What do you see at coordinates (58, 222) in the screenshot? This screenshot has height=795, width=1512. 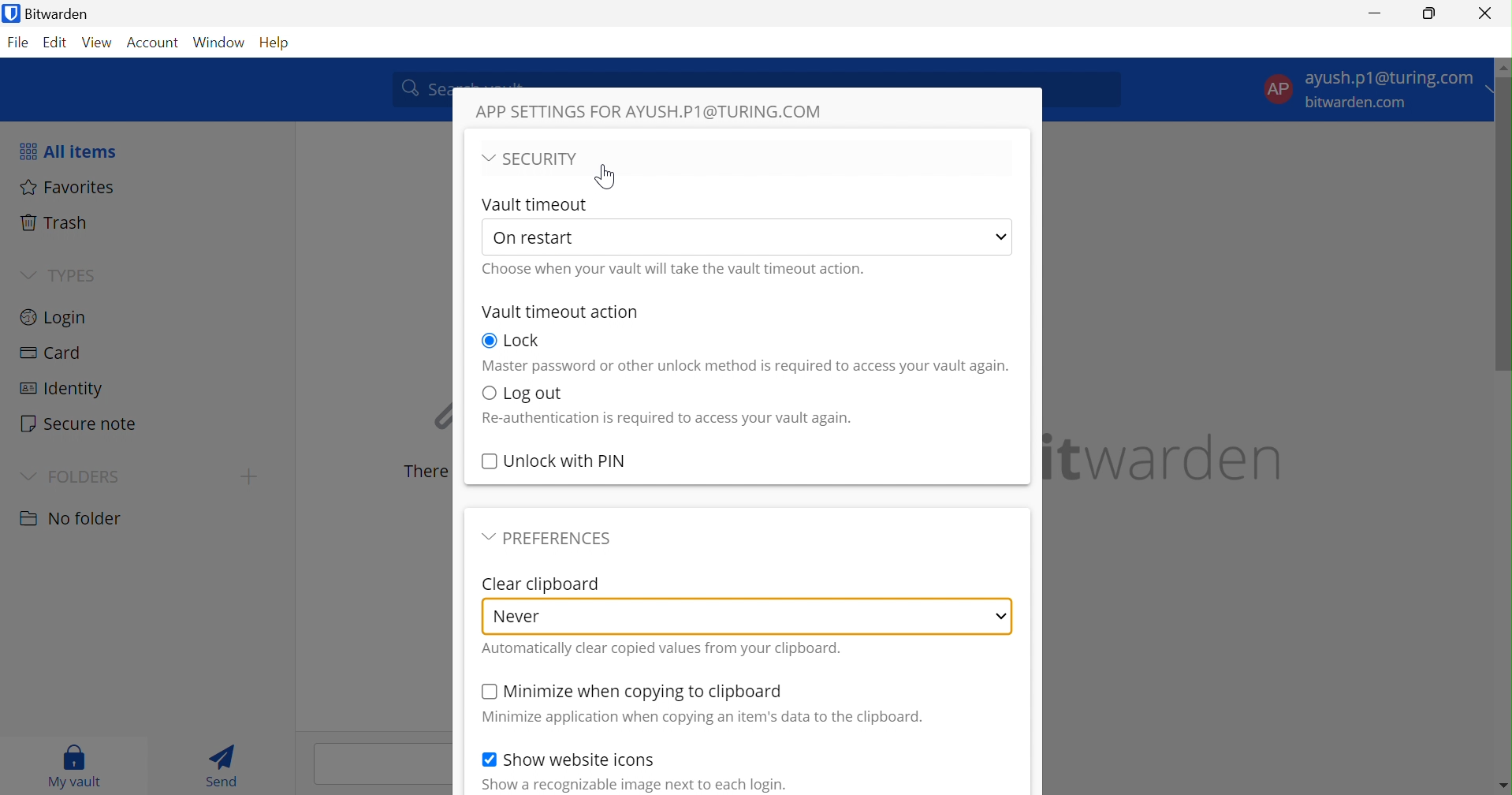 I see `Trash` at bounding box center [58, 222].